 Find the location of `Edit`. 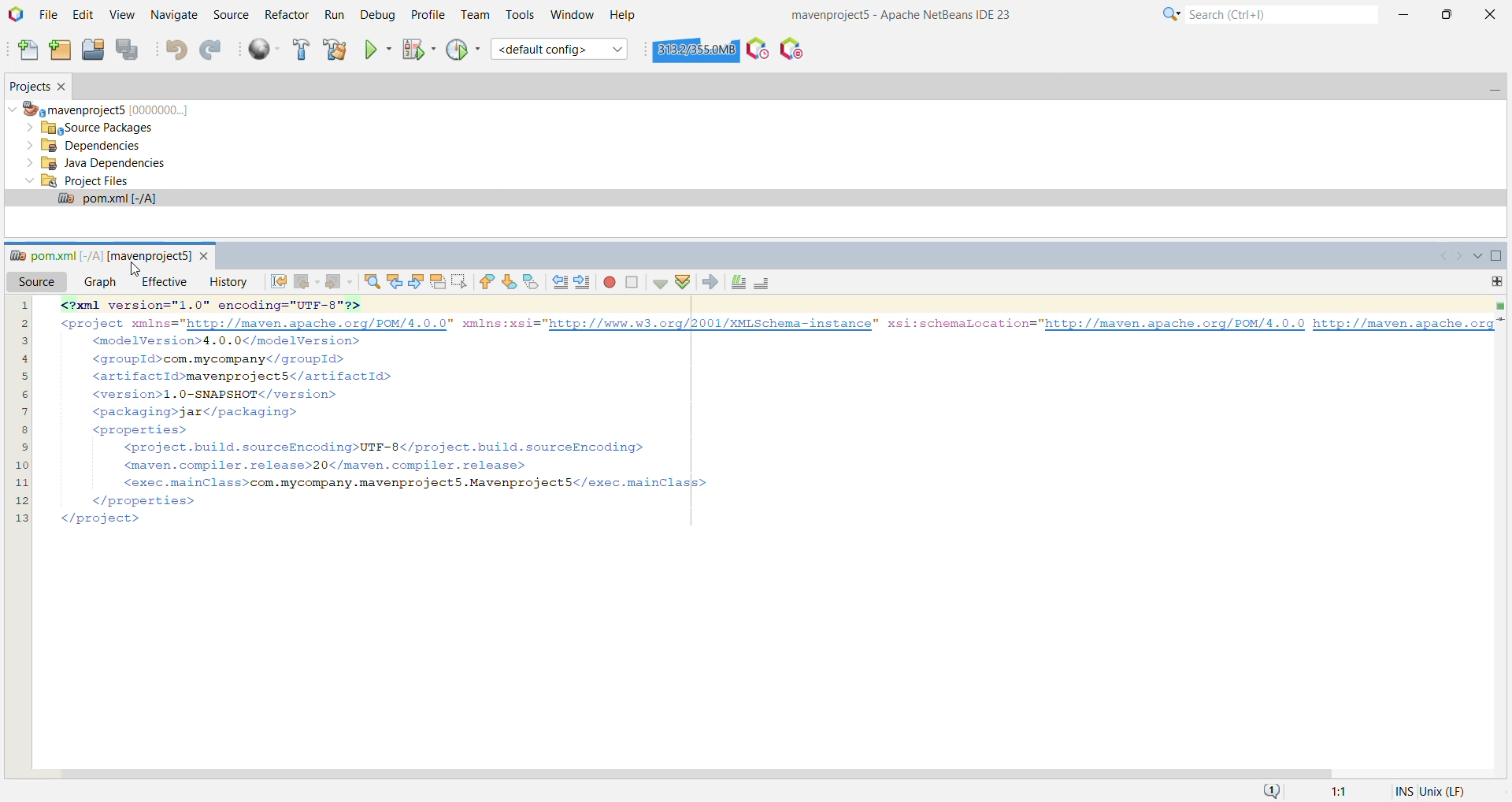

Edit is located at coordinates (85, 15).